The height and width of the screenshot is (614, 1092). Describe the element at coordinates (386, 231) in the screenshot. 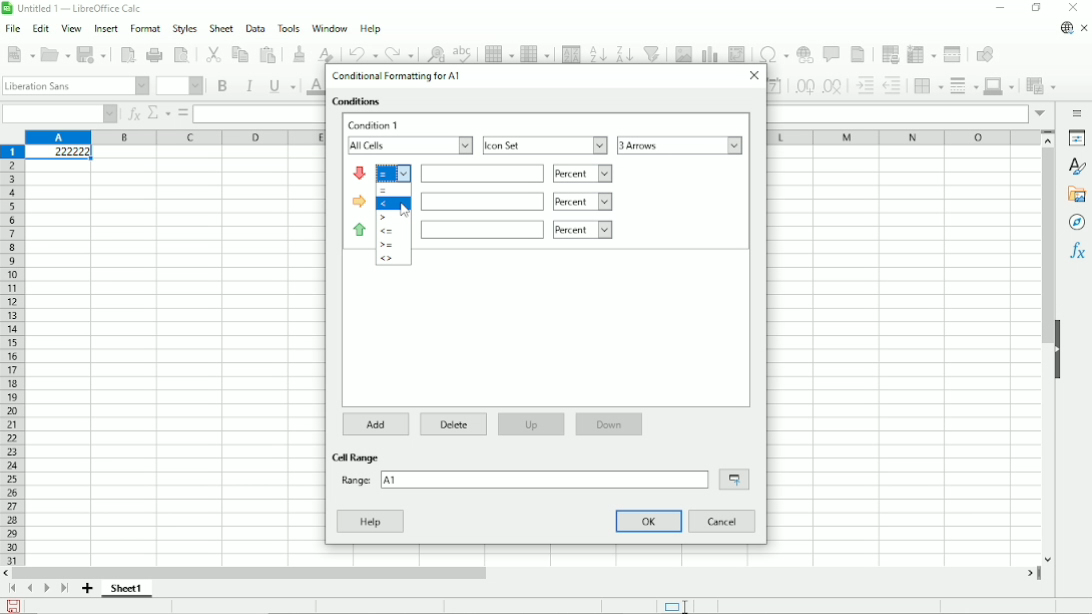

I see `<=` at that location.